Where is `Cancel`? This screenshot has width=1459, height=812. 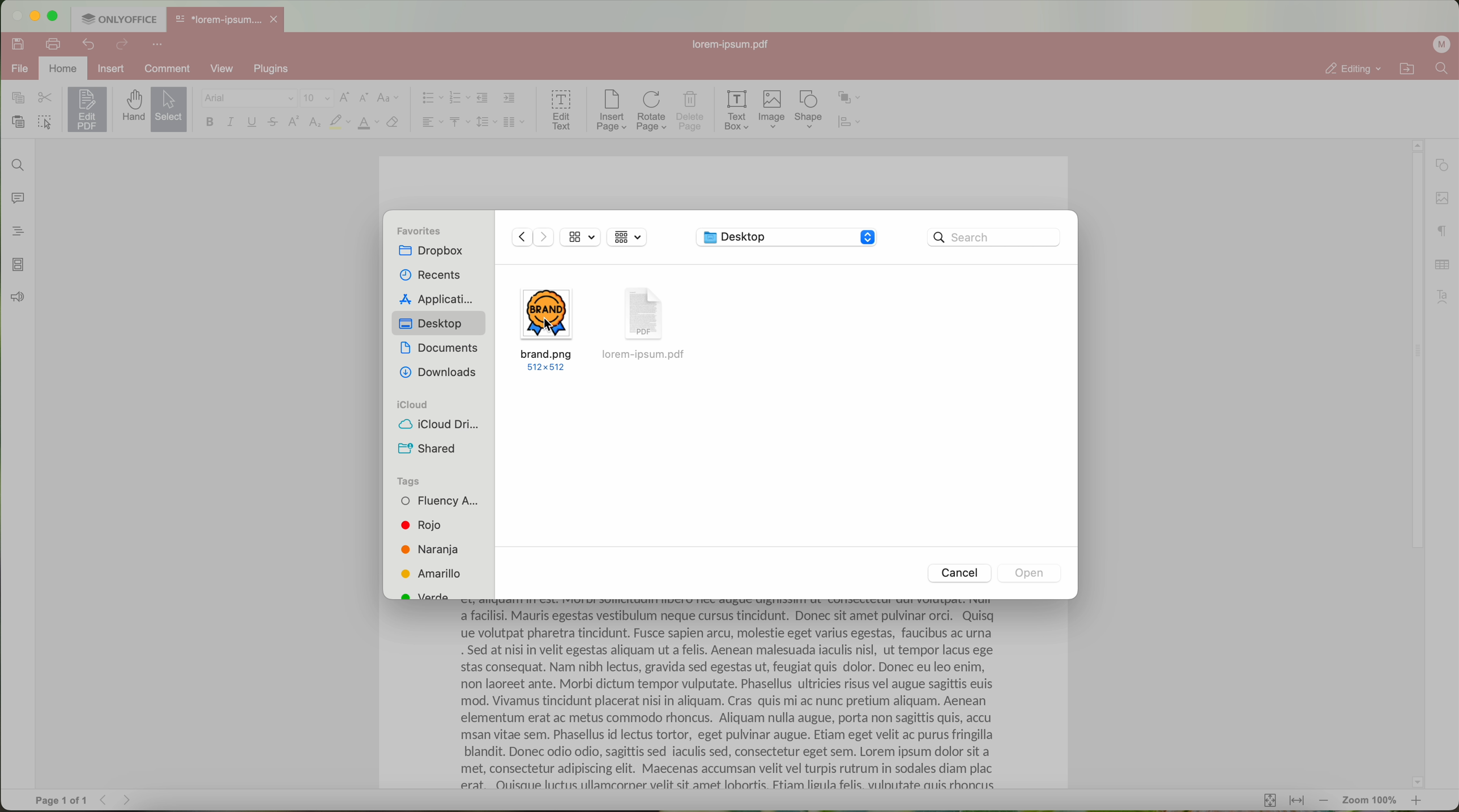 Cancel is located at coordinates (956, 572).